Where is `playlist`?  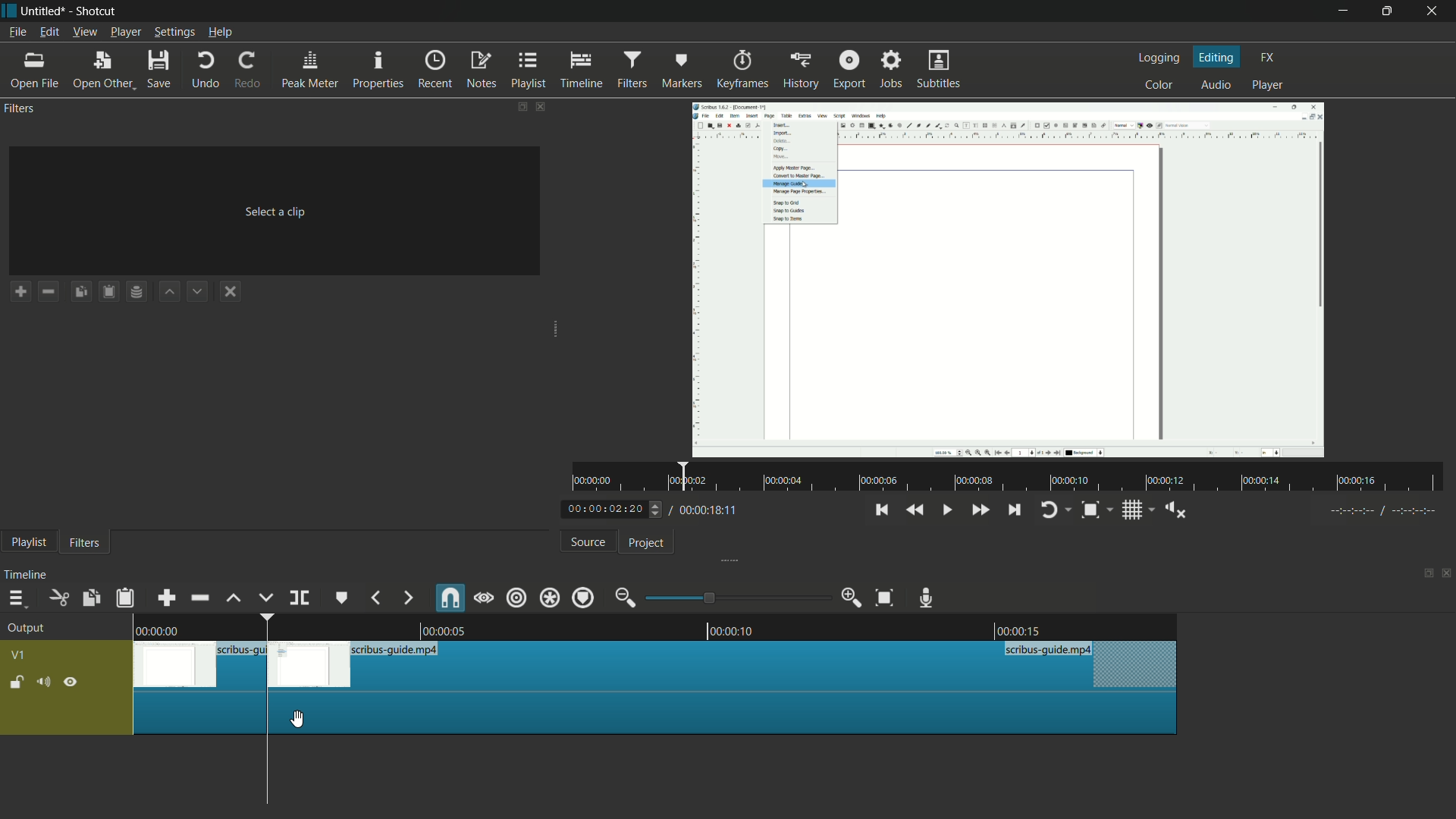
playlist is located at coordinates (26, 543).